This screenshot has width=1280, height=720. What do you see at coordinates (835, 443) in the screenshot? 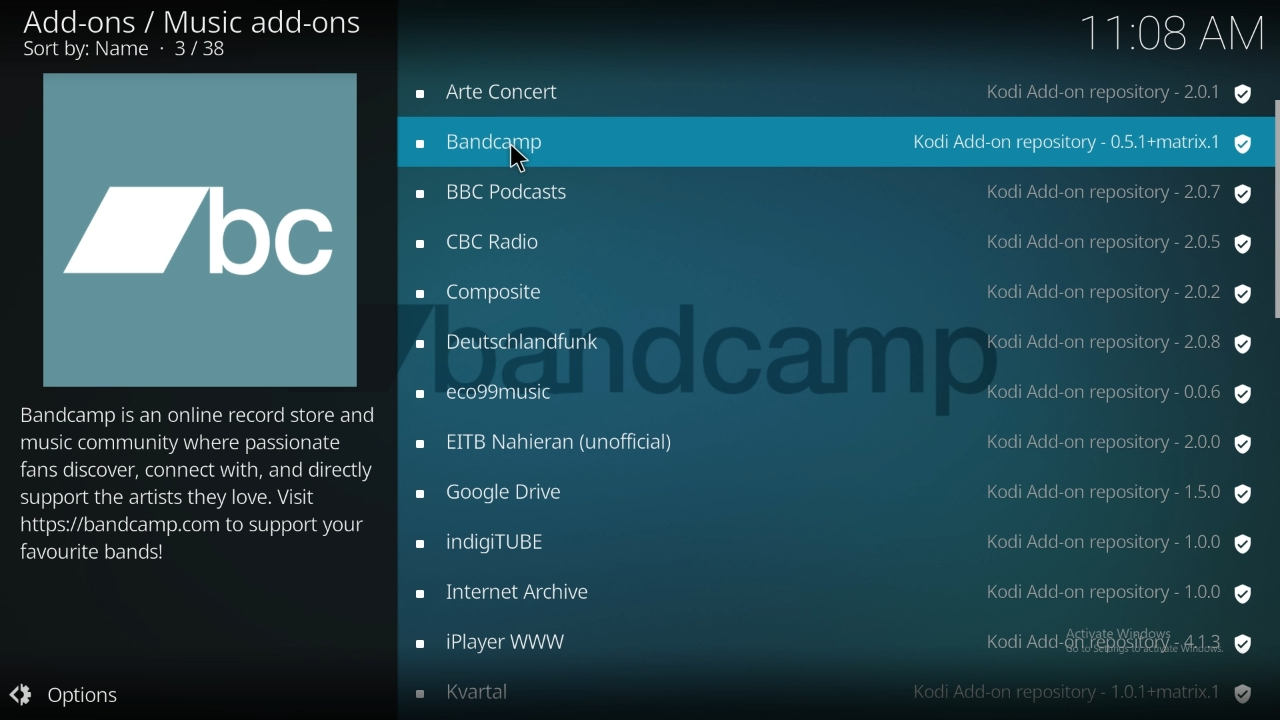
I see `add on` at bounding box center [835, 443].